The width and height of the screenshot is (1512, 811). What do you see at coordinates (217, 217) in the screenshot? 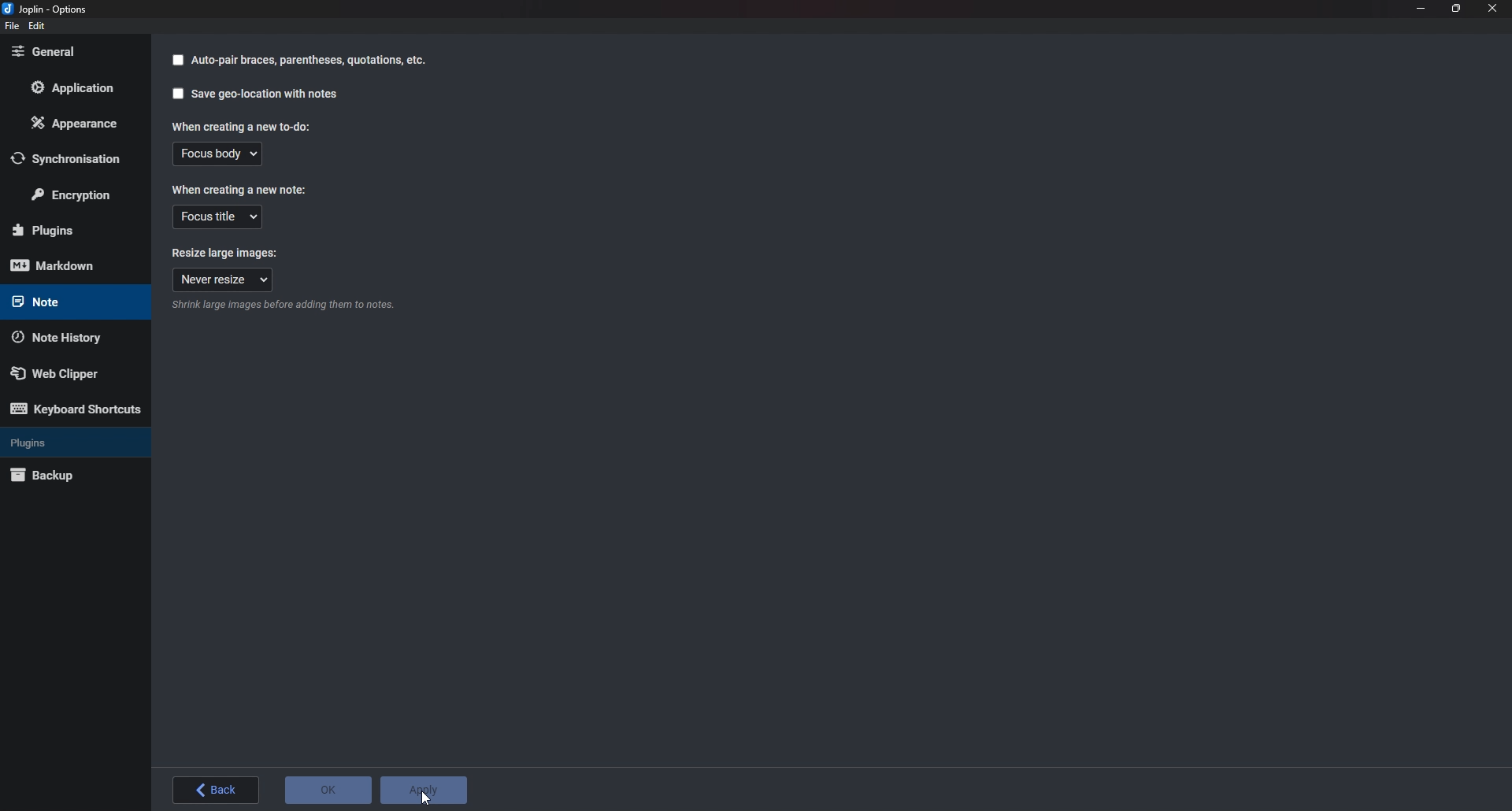
I see `focus title` at bounding box center [217, 217].